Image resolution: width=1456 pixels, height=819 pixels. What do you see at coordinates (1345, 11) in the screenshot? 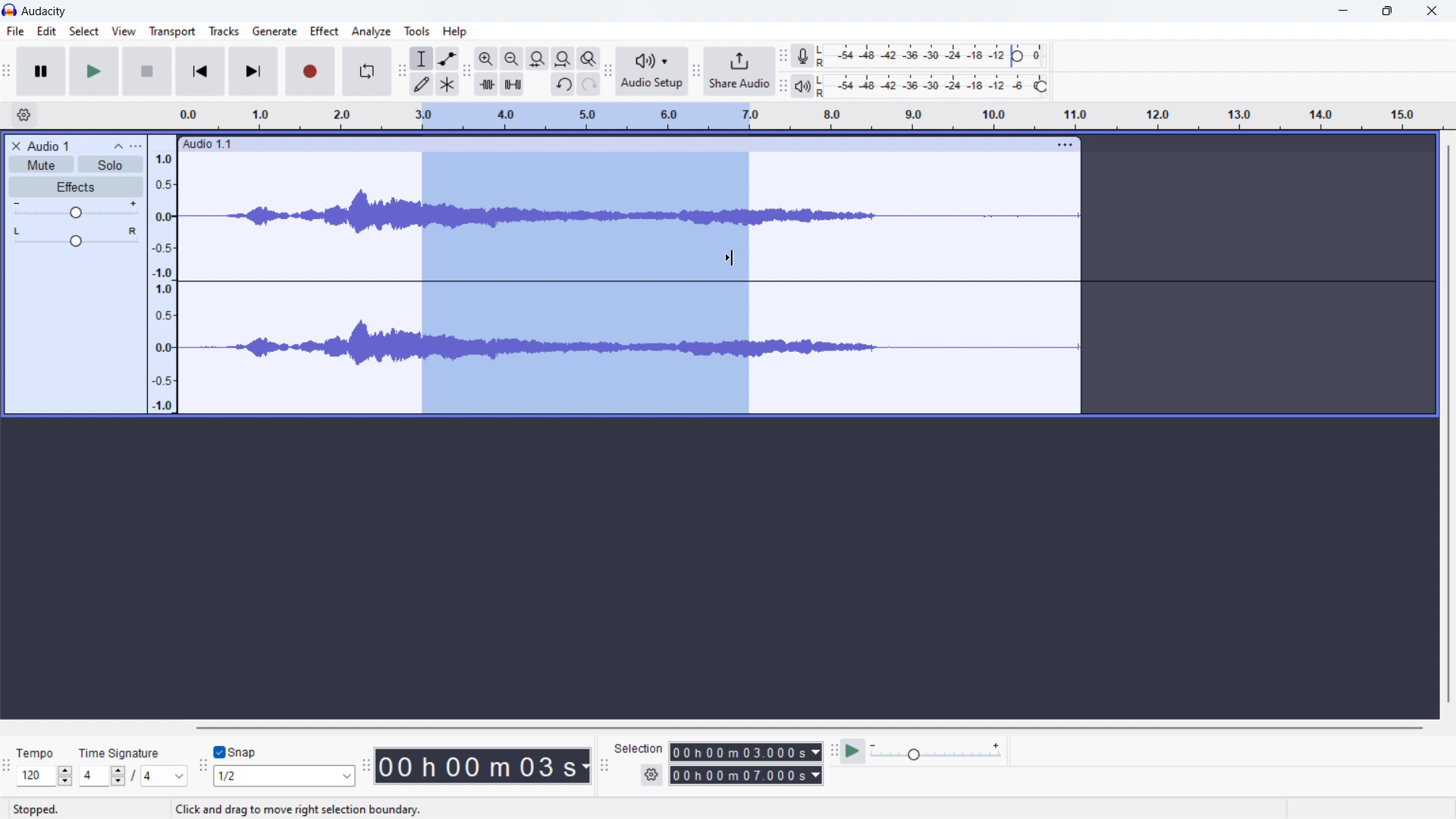
I see `minimize` at bounding box center [1345, 11].